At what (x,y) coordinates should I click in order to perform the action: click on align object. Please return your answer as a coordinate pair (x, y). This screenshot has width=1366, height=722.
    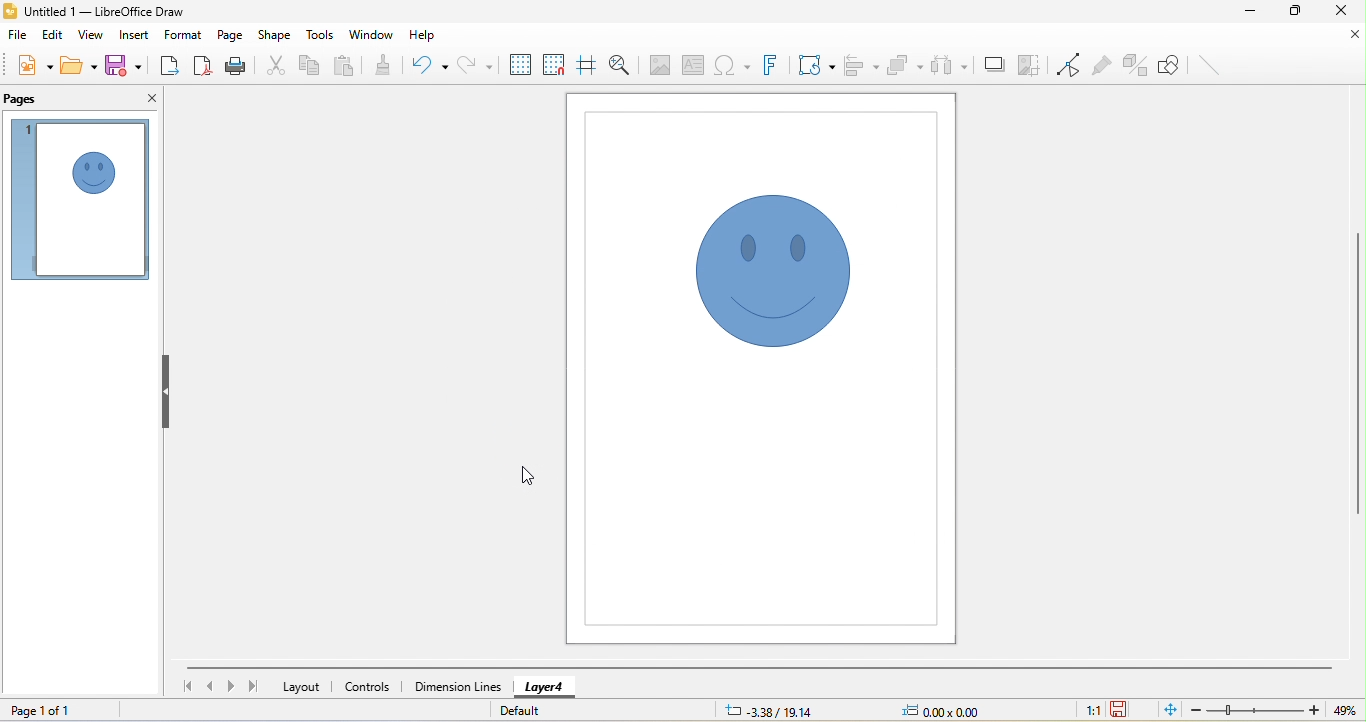
    Looking at the image, I should click on (861, 67).